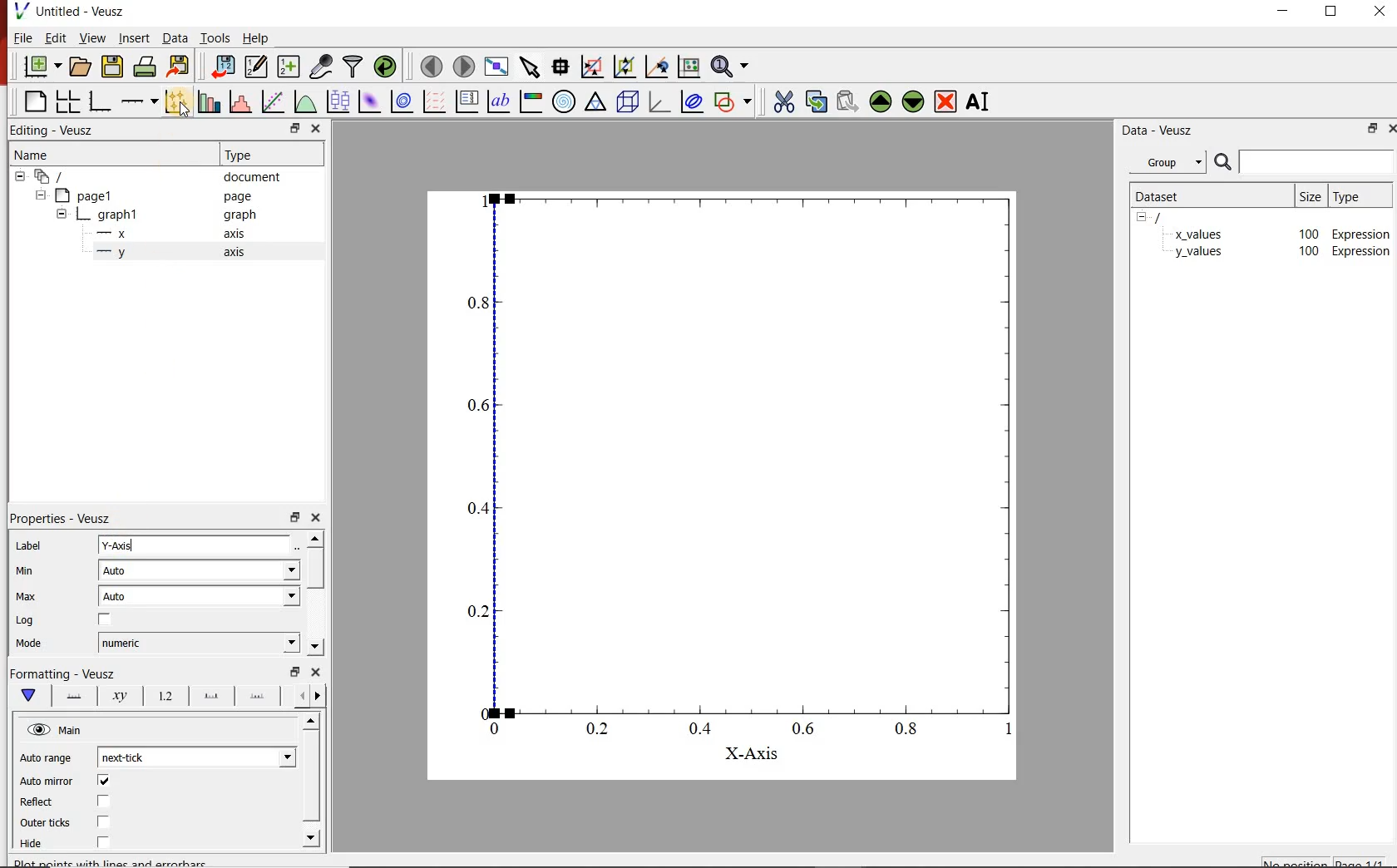 This screenshot has height=868, width=1397. What do you see at coordinates (105, 821) in the screenshot?
I see `checkbox` at bounding box center [105, 821].